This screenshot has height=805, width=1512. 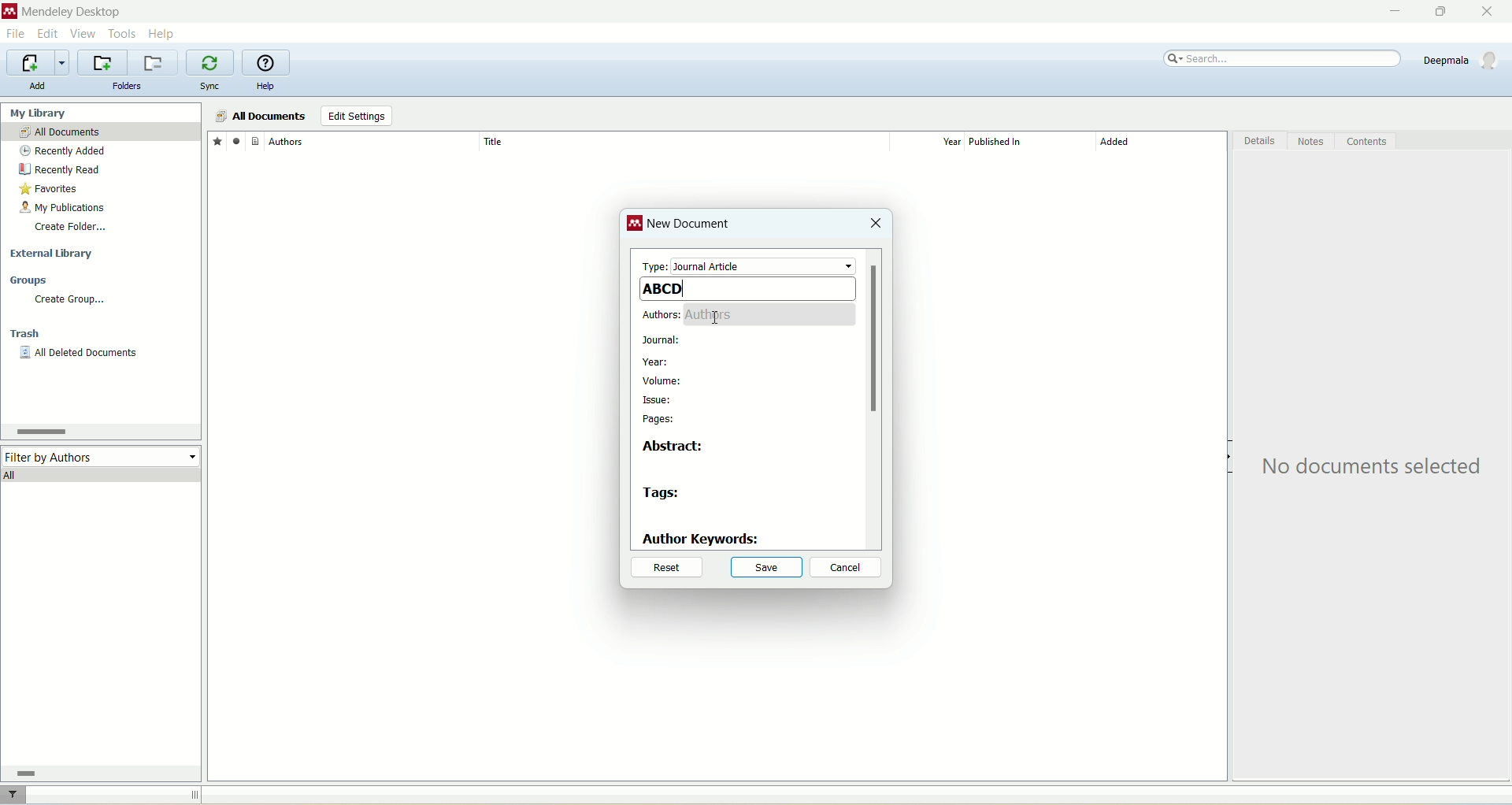 What do you see at coordinates (46, 34) in the screenshot?
I see `edit` at bounding box center [46, 34].